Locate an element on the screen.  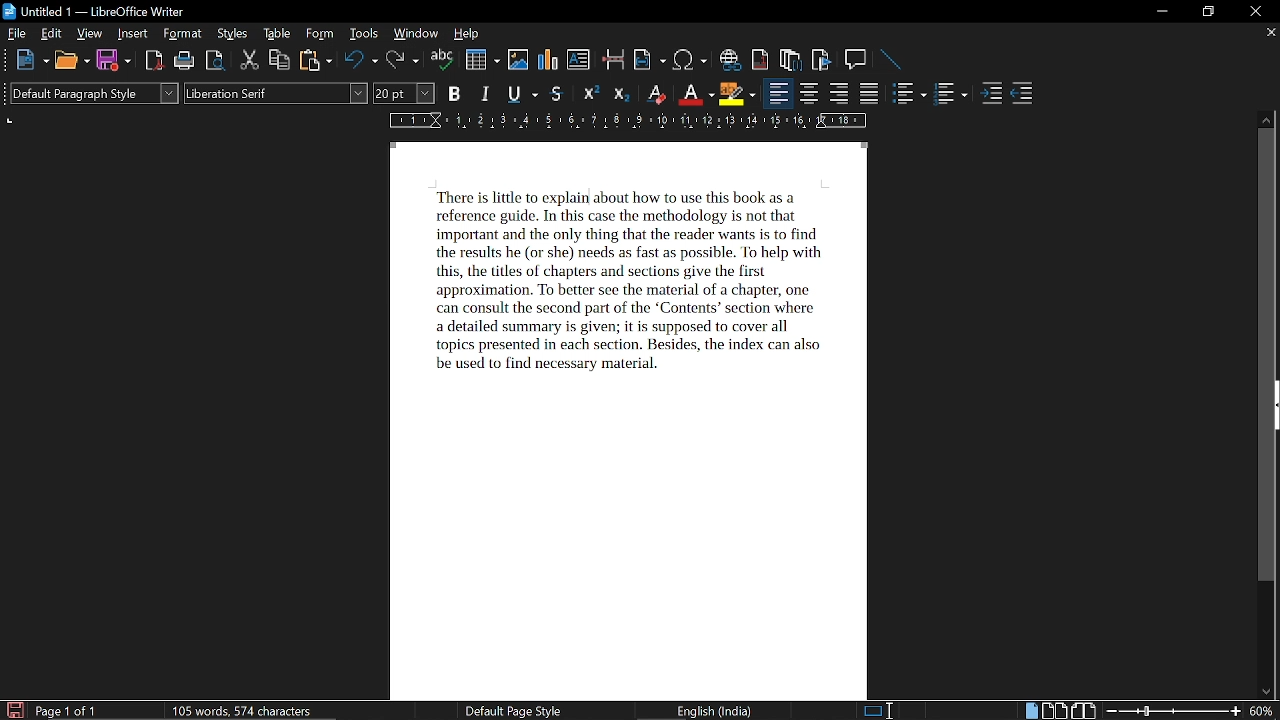
vertical scrollbar is located at coordinates (1270, 357).